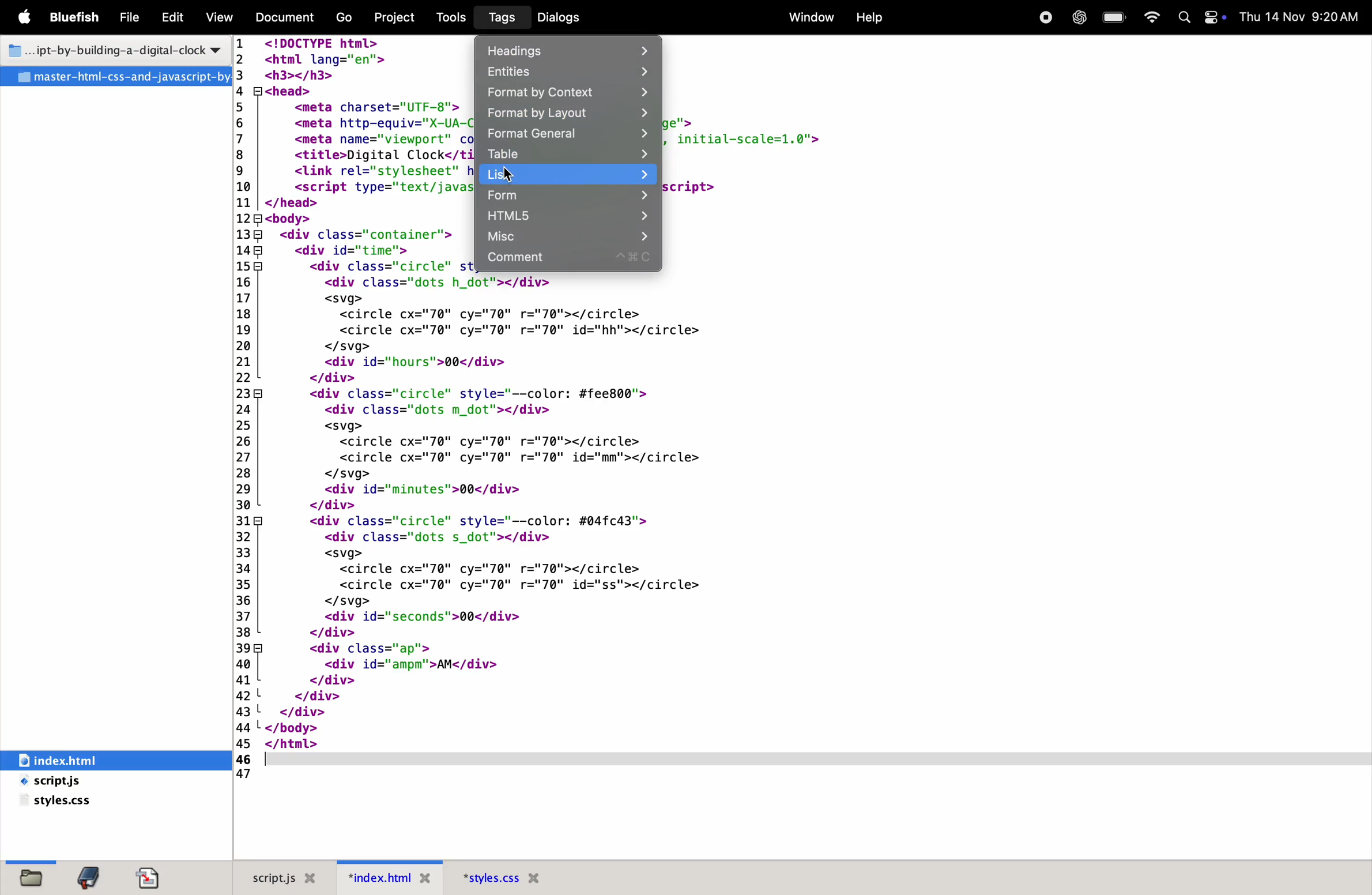 The image size is (1372, 895). Describe the element at coordinates (1044, 17) in the screenshot. I see `record` at that location.